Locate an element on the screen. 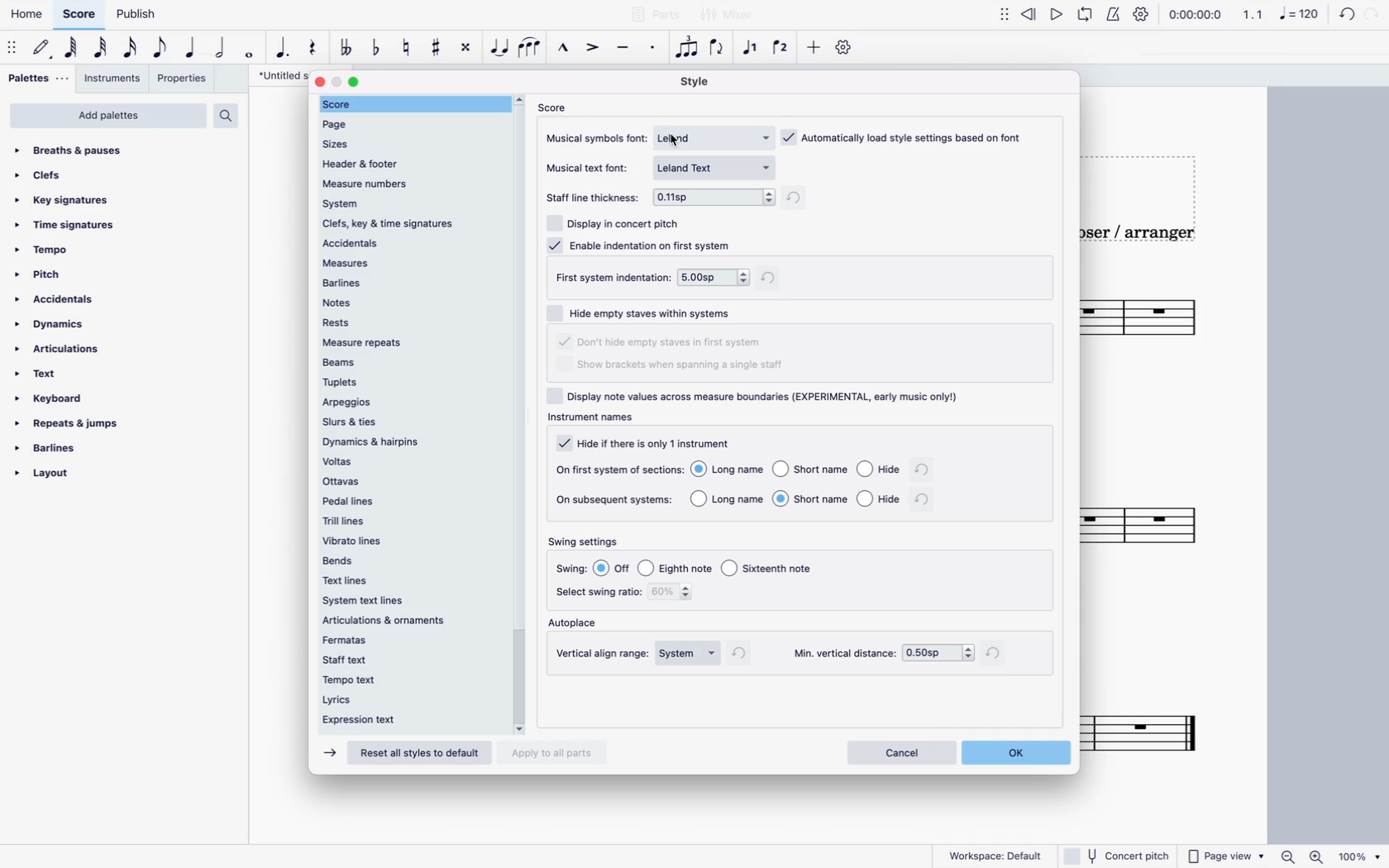 Image resolution: width=1389 pixels, height=868 pixels. show brackets is located at coordinates (680, 366).